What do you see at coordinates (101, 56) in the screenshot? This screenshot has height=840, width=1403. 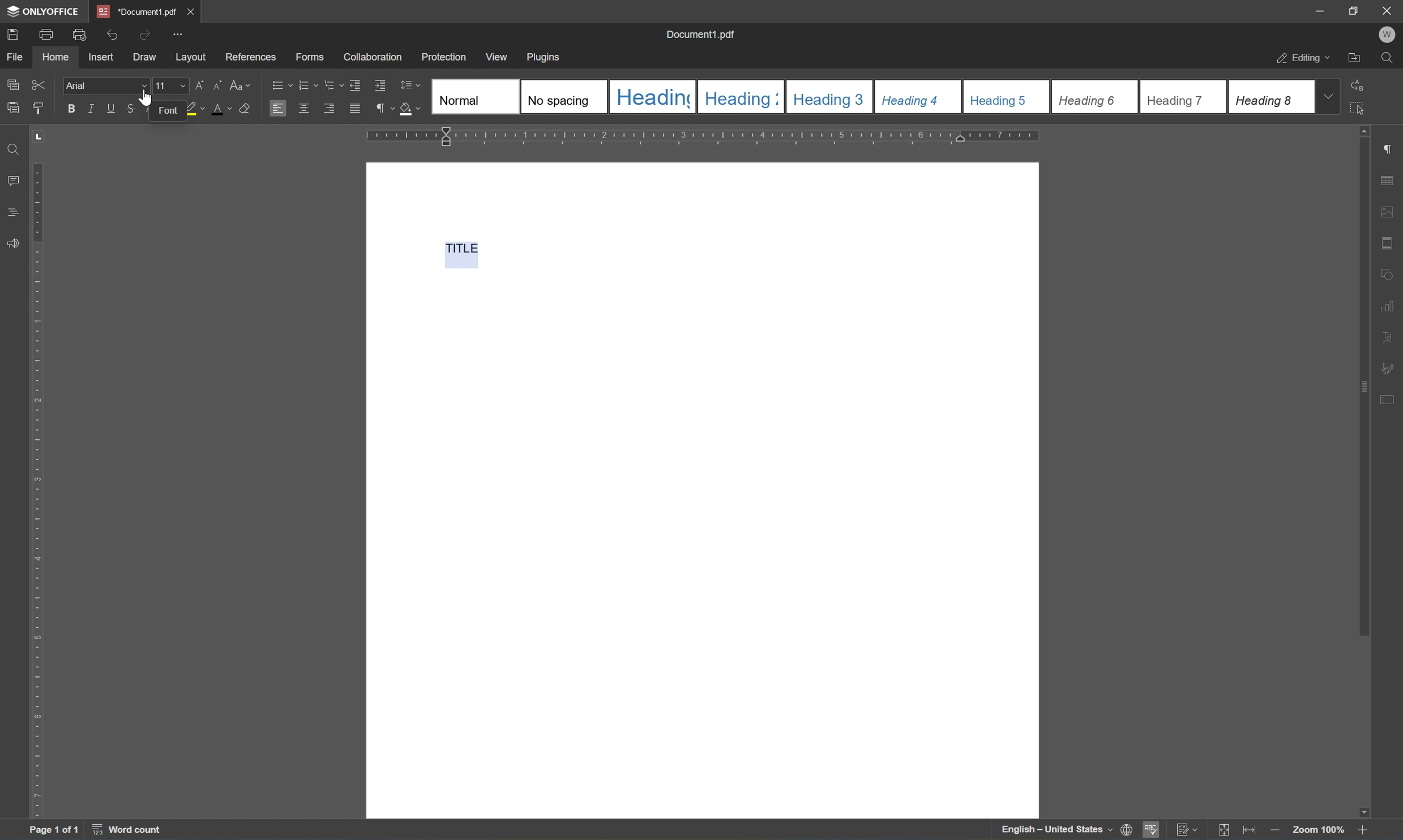 I see `insert` at bounding box center [101, 56].